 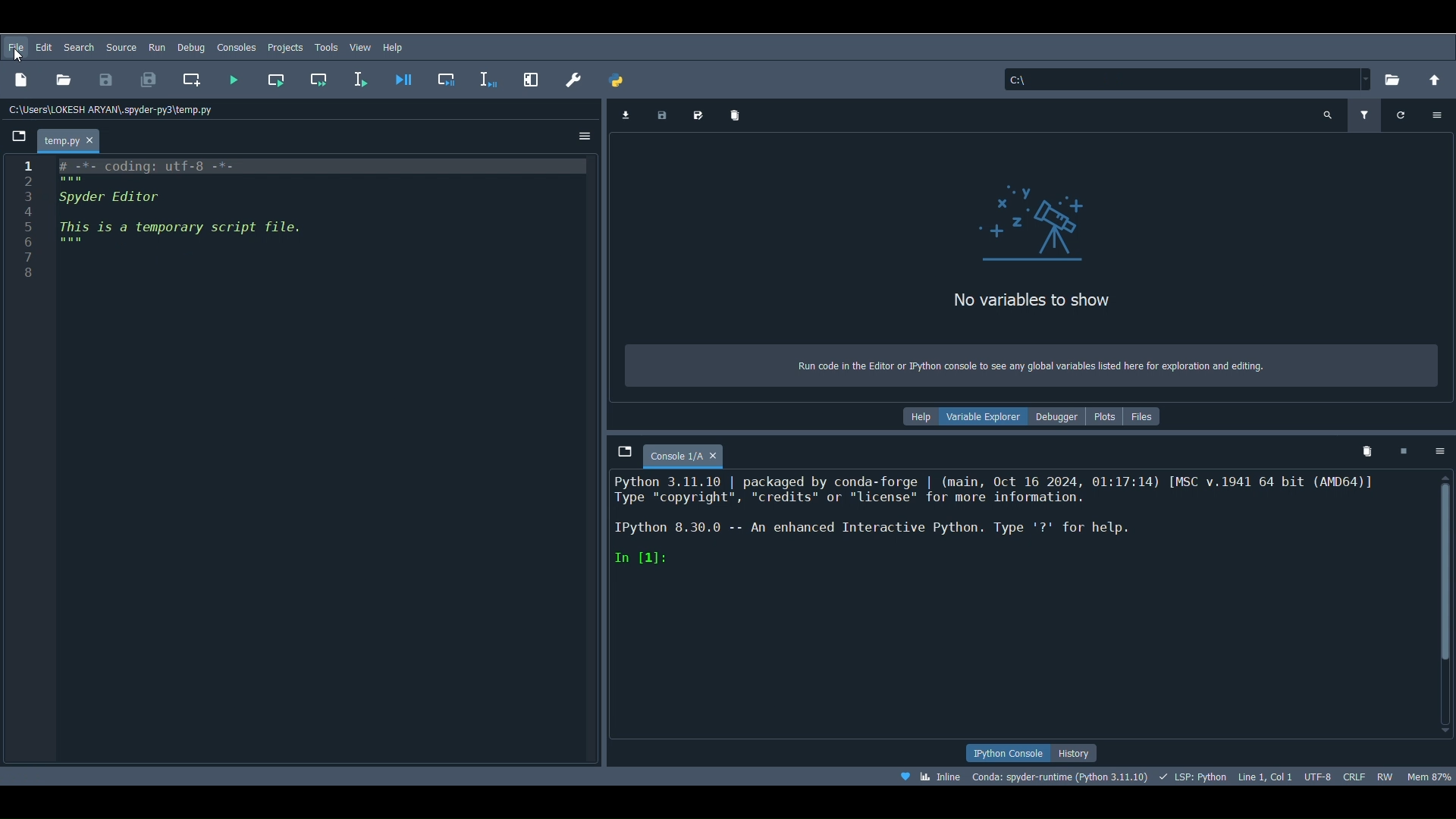 I want to click on Python console, so click(x=1005, y=752).